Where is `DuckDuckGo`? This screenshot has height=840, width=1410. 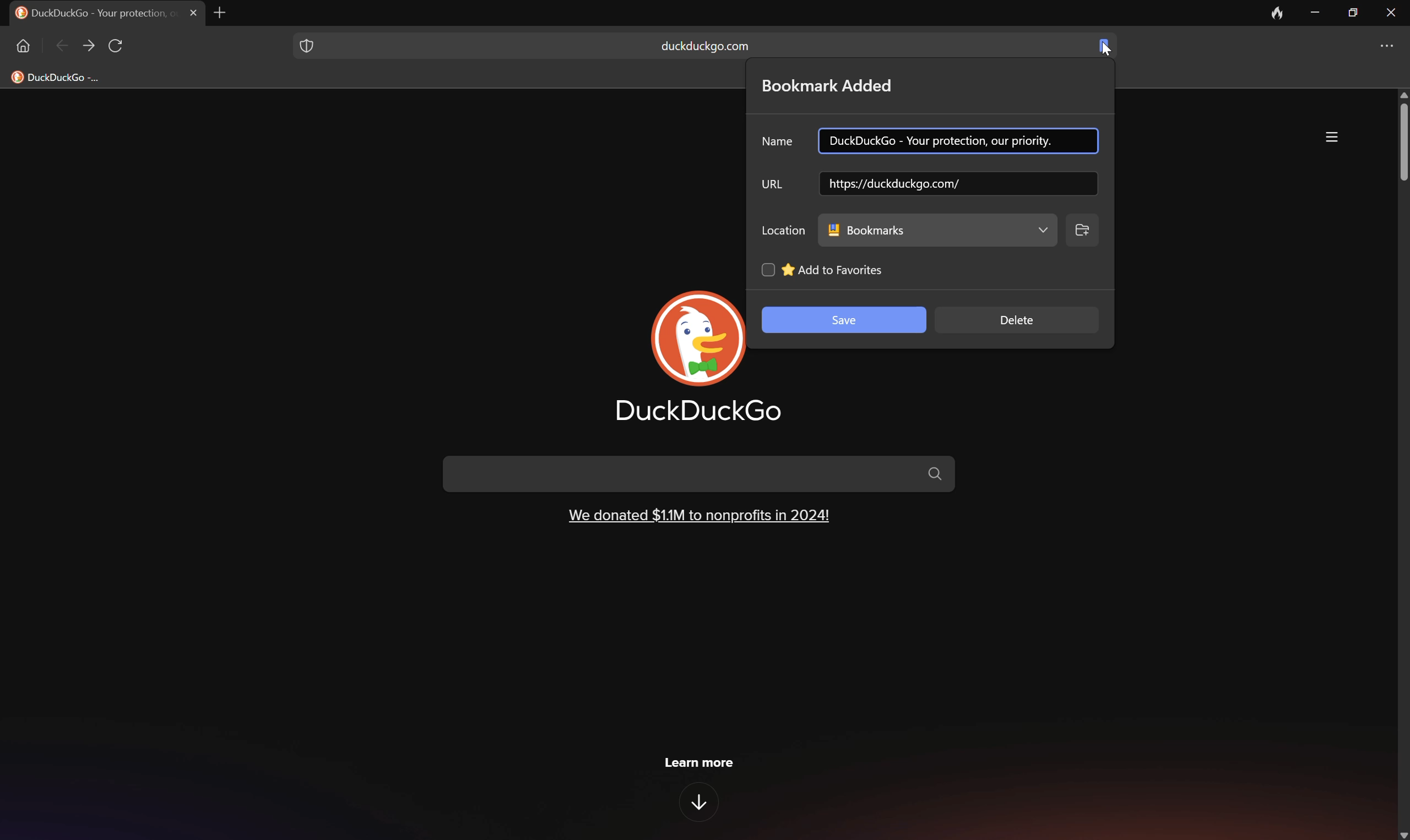 DuckDuckGo is located at coordinates (699, 412).